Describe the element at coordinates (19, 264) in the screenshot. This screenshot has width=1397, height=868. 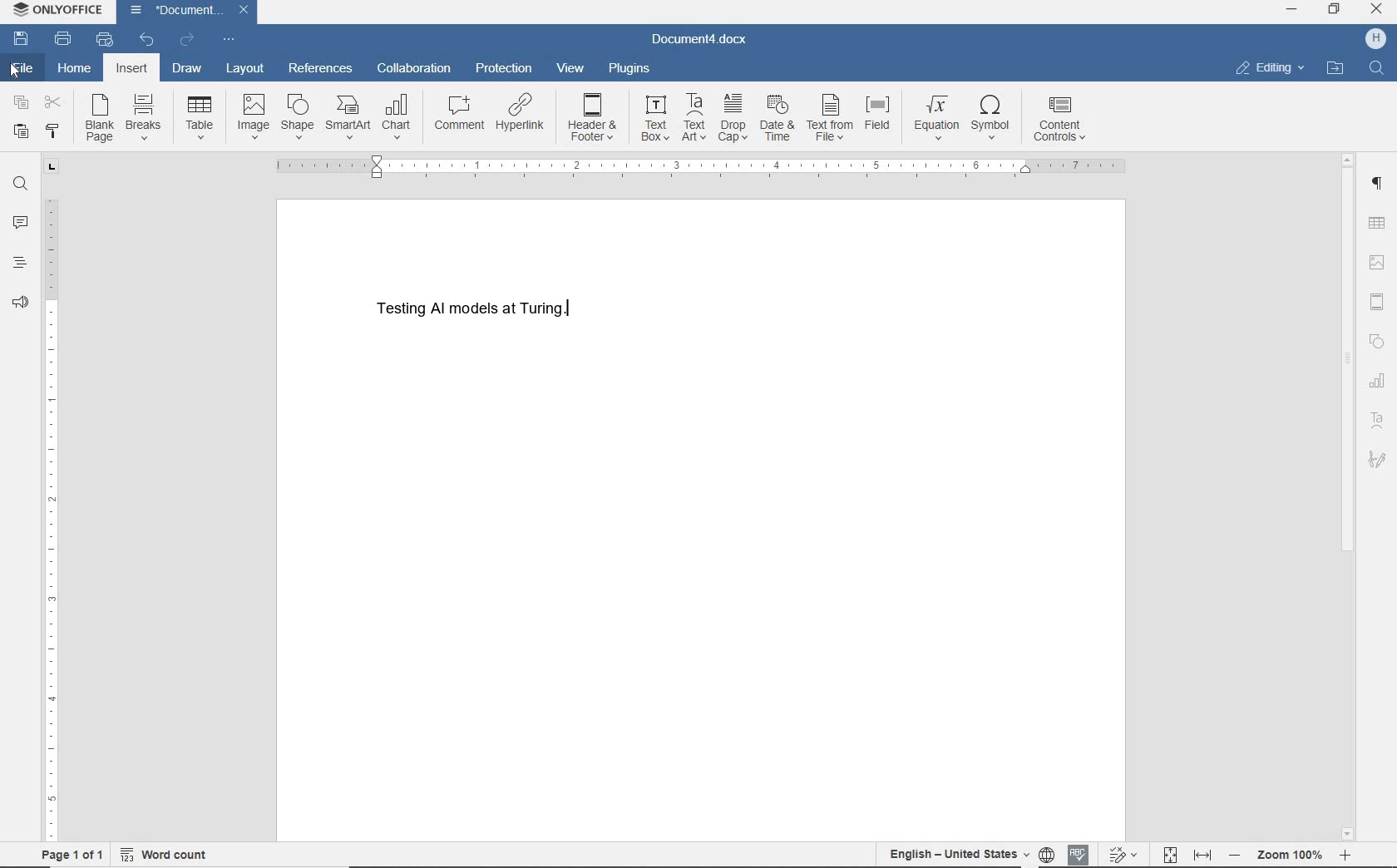
I see `headings` at that location.